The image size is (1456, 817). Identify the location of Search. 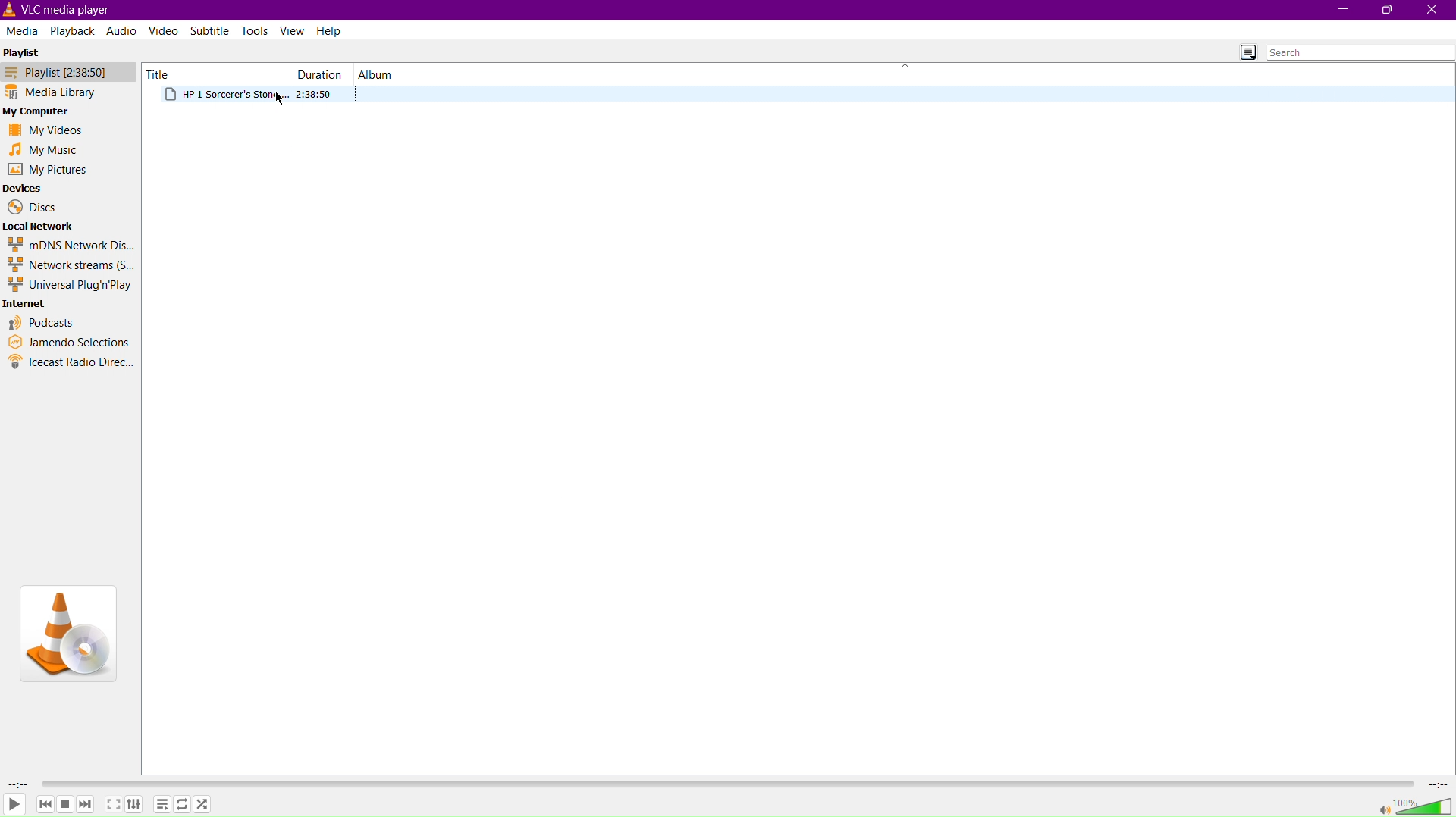
(1360, 52).